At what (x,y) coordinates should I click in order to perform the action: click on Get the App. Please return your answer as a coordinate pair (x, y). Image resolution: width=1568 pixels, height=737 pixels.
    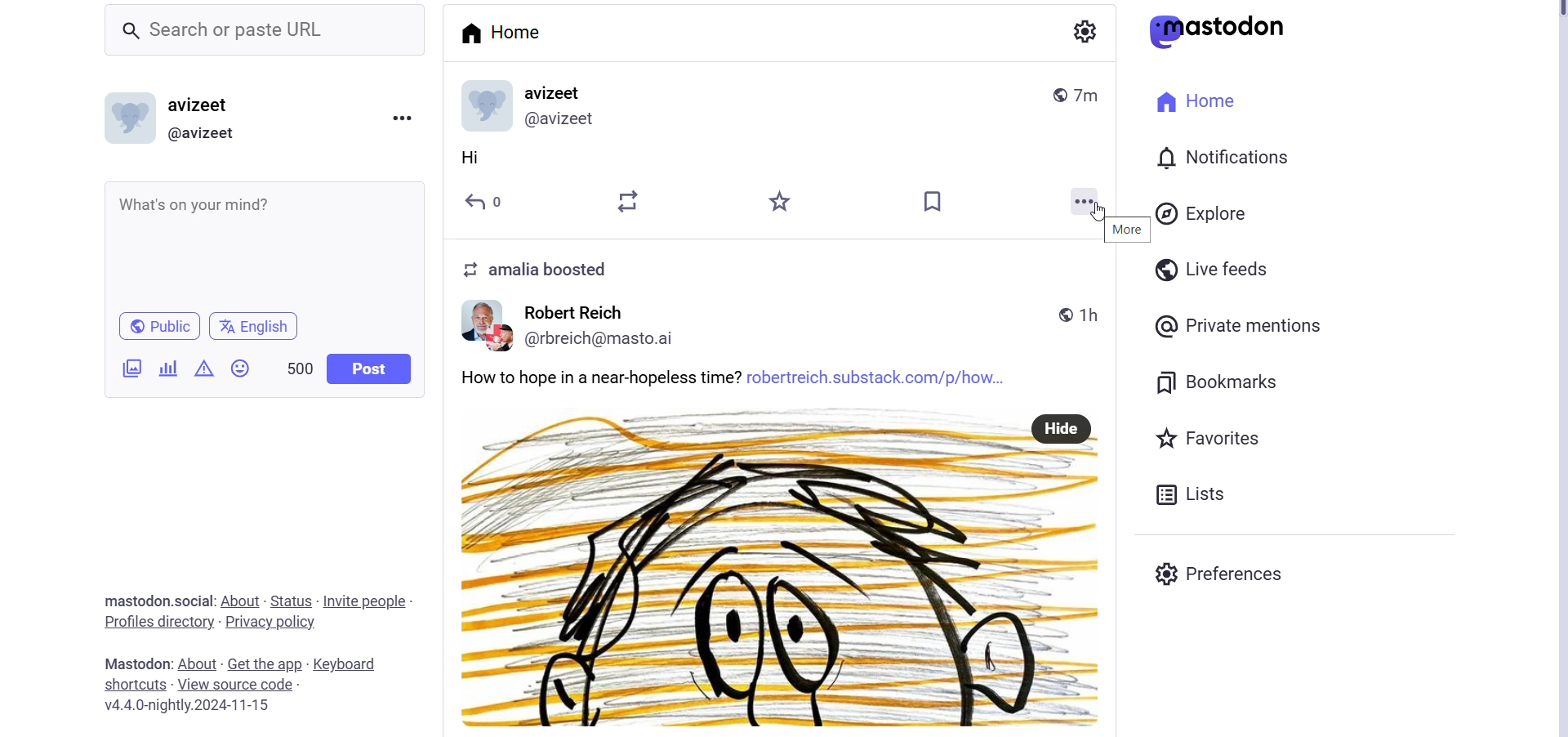
    Looking at the image, I should click on (264, 665).